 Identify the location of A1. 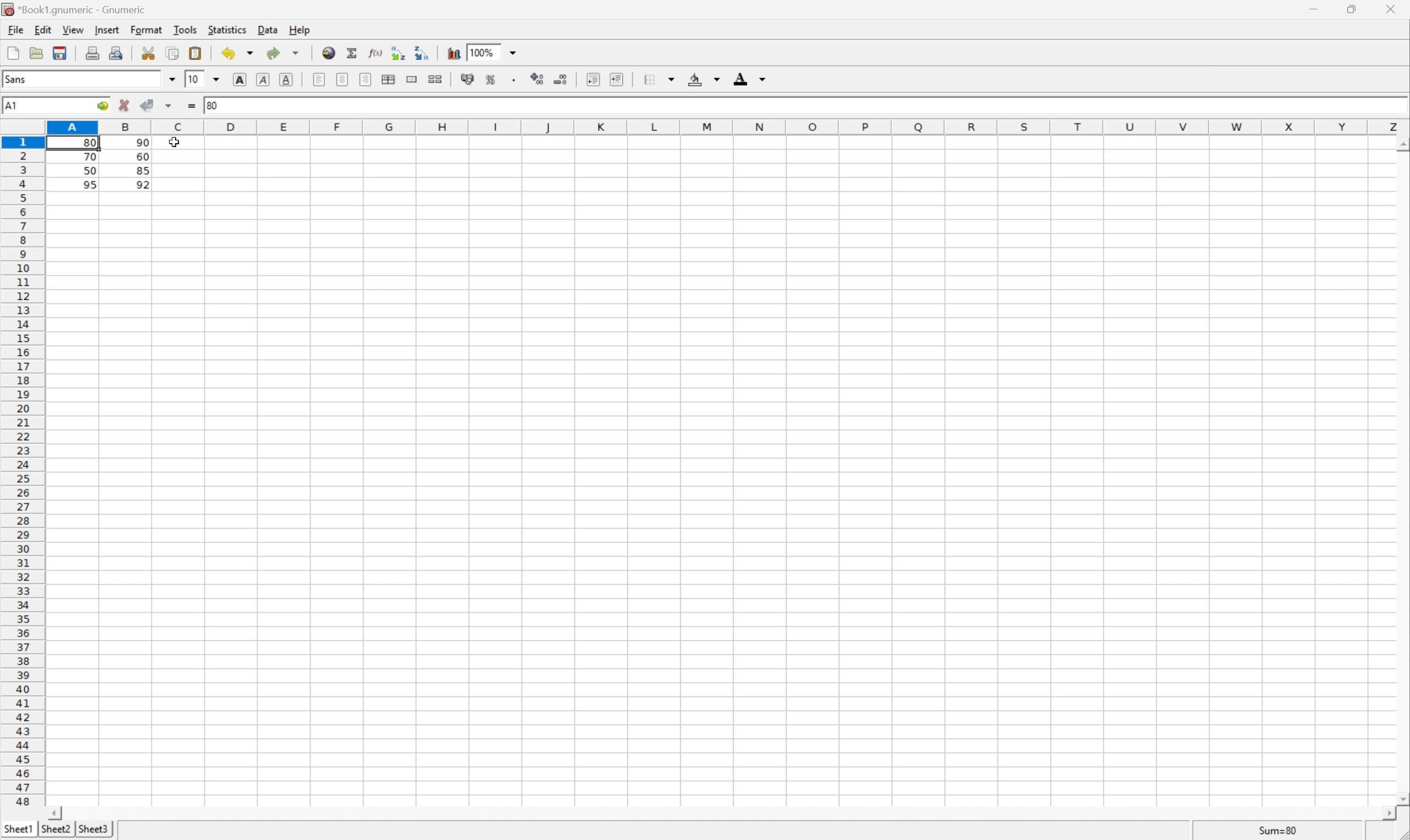
(18, 106).